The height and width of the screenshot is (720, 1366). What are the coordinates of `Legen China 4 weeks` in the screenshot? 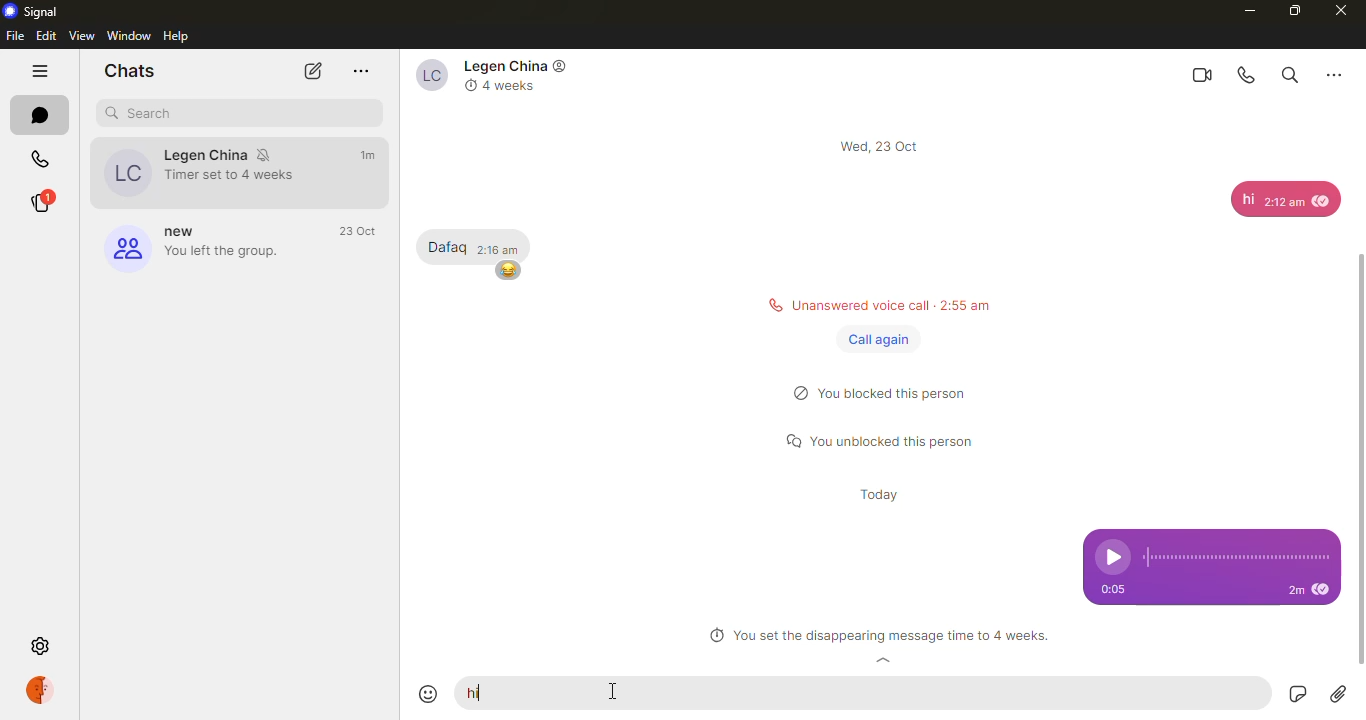 It's located at (497, 76).